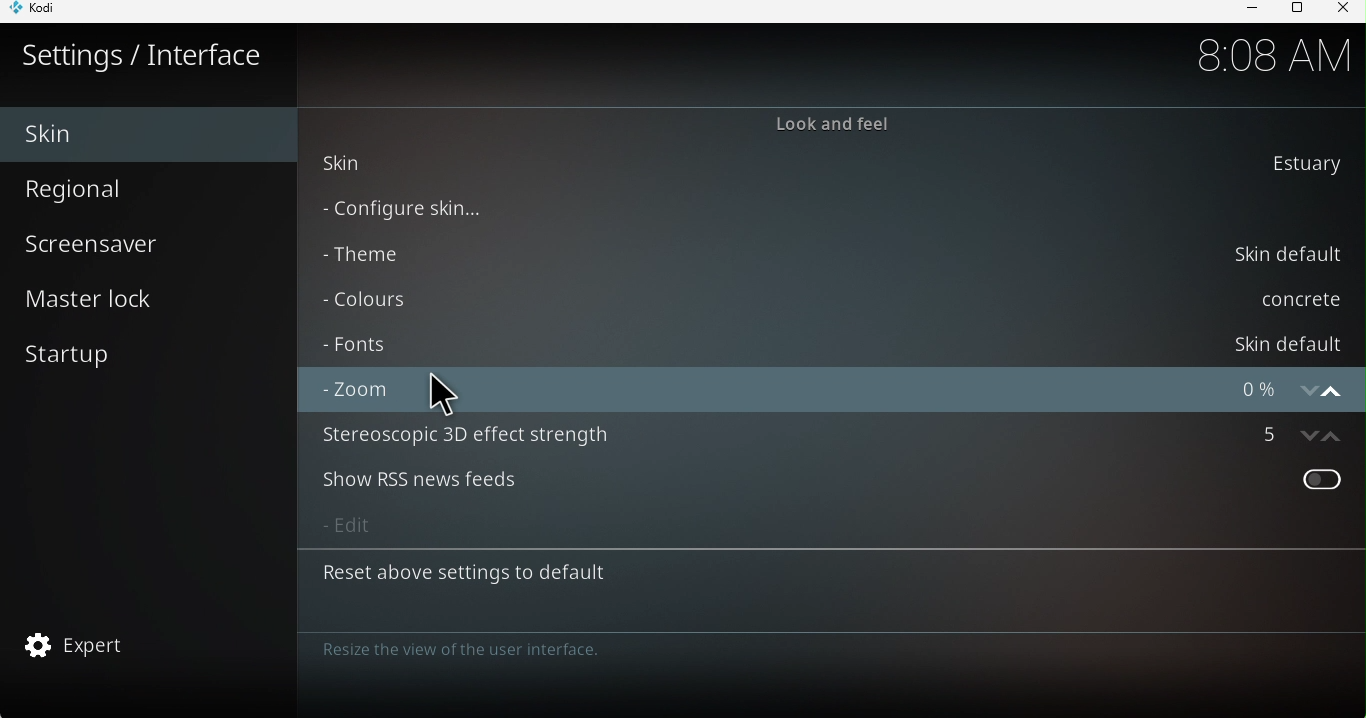 This screenshot has width=1366, height=718. I want to click on Colors, so click(832, 299).